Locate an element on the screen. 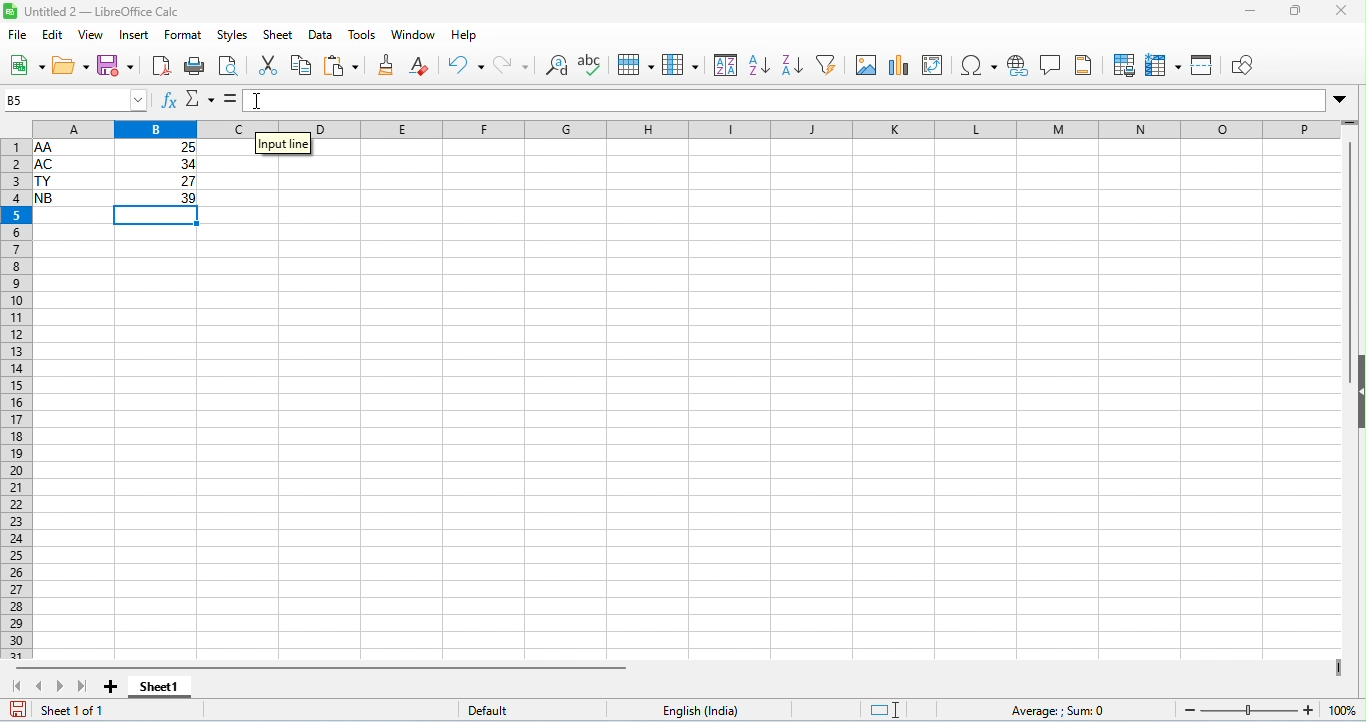 This screenshot has height=722, width=1366. insert hyperlink is located at coordinates (1017, 67).